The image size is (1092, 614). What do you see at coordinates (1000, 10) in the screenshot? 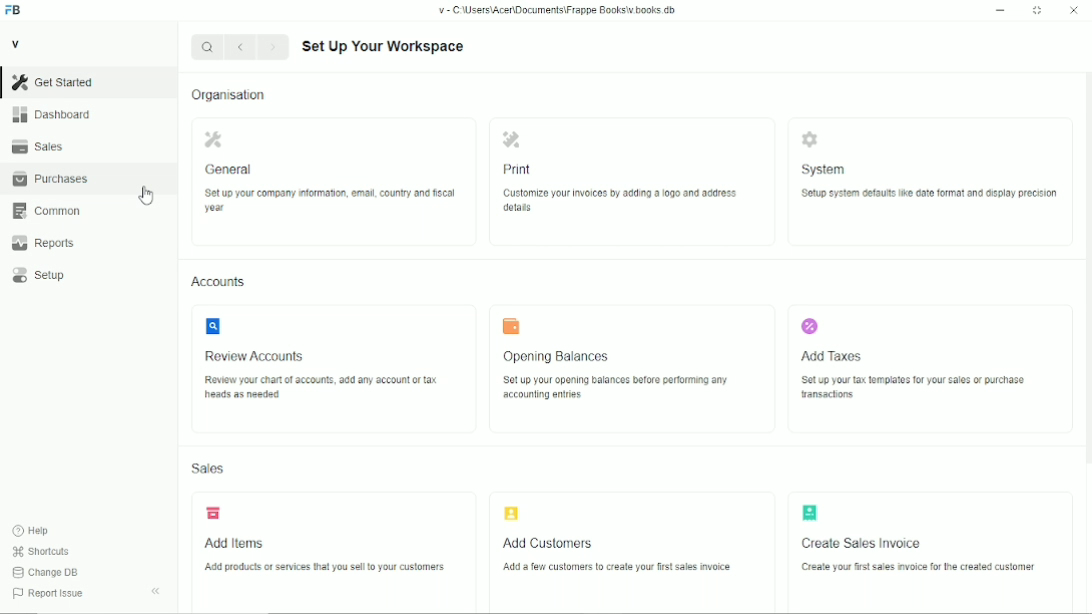
I see `Minimize` at bounding box center [1000, 10].